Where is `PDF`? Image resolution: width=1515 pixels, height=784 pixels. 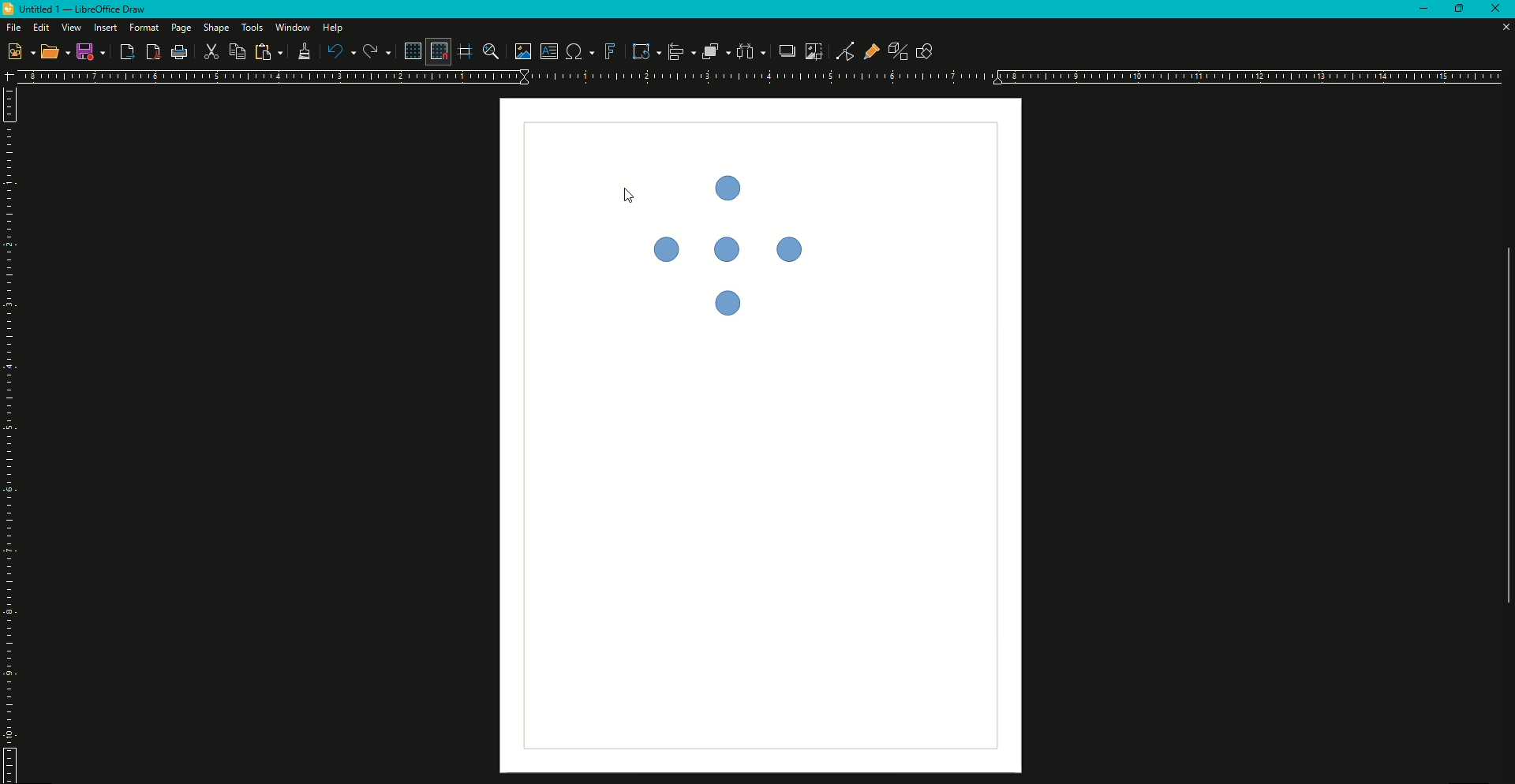
PDF is located at coordinates (152, 54).